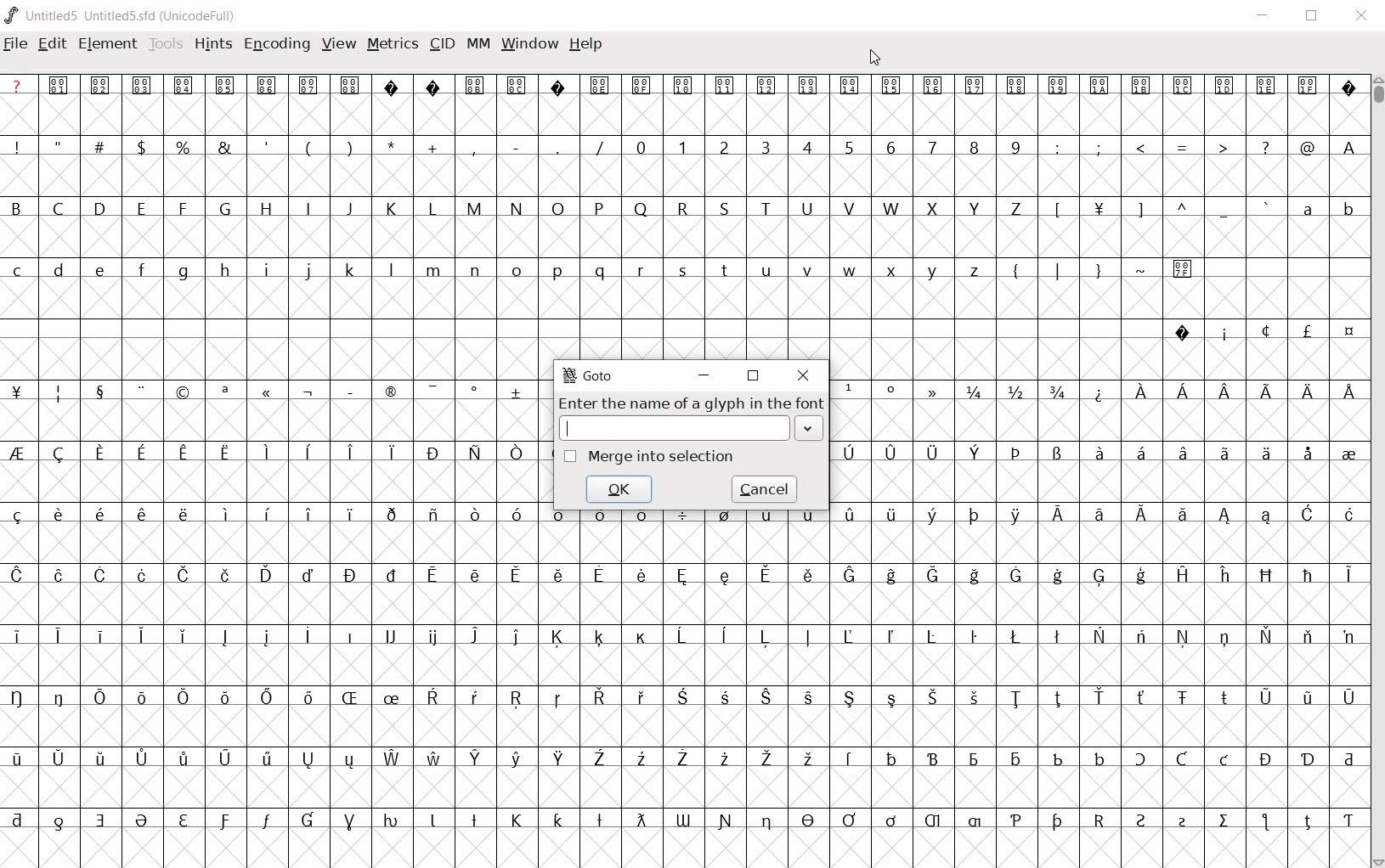 Image resolution: width=1385 pixels, height=868 pixels. I want to click on Symbol, so click(1099, 757).